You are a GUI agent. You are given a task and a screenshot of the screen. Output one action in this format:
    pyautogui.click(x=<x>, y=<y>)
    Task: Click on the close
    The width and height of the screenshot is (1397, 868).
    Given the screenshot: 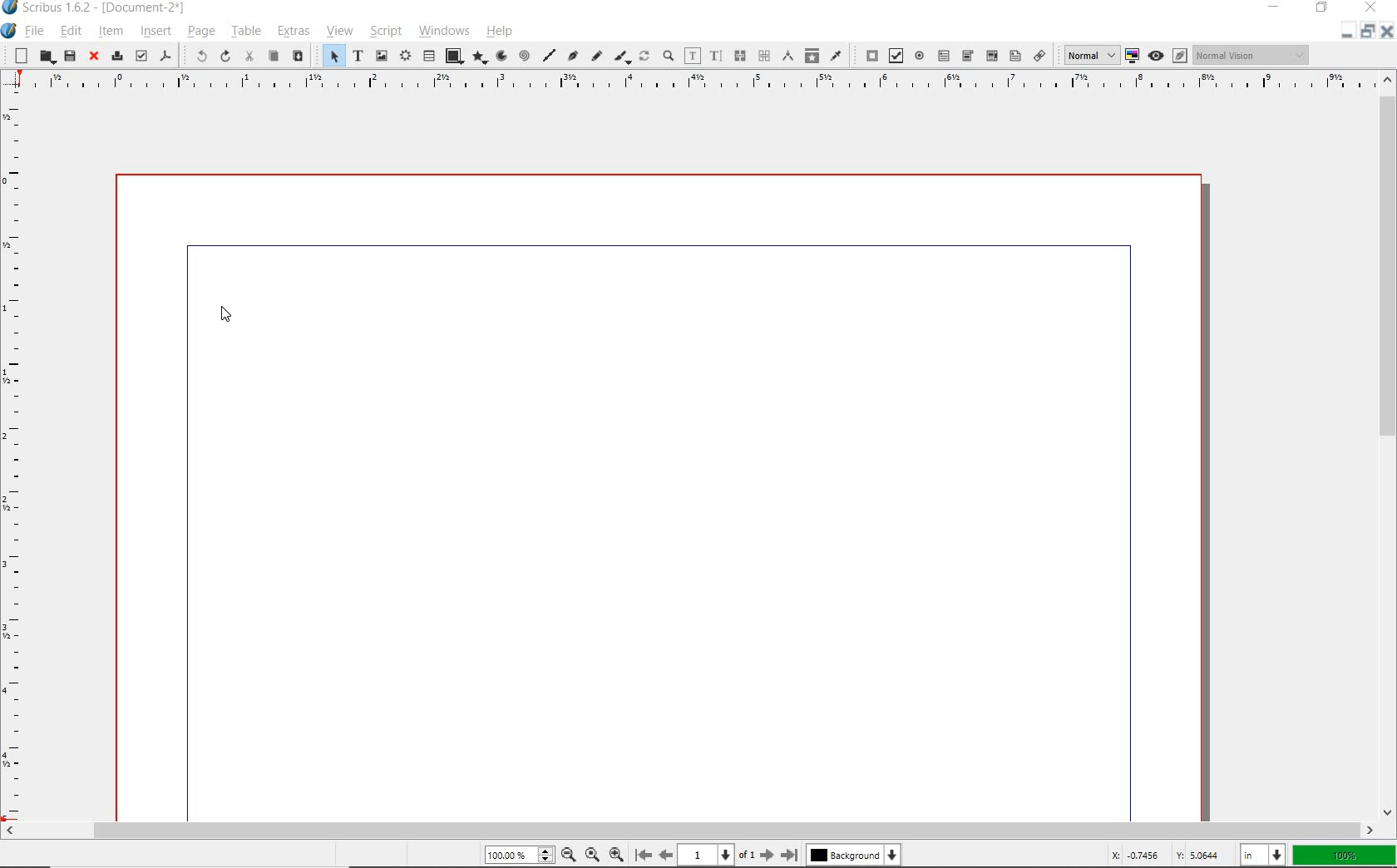 What is the action you would take?
    pyautogui.click(x=1389, y=32)
    